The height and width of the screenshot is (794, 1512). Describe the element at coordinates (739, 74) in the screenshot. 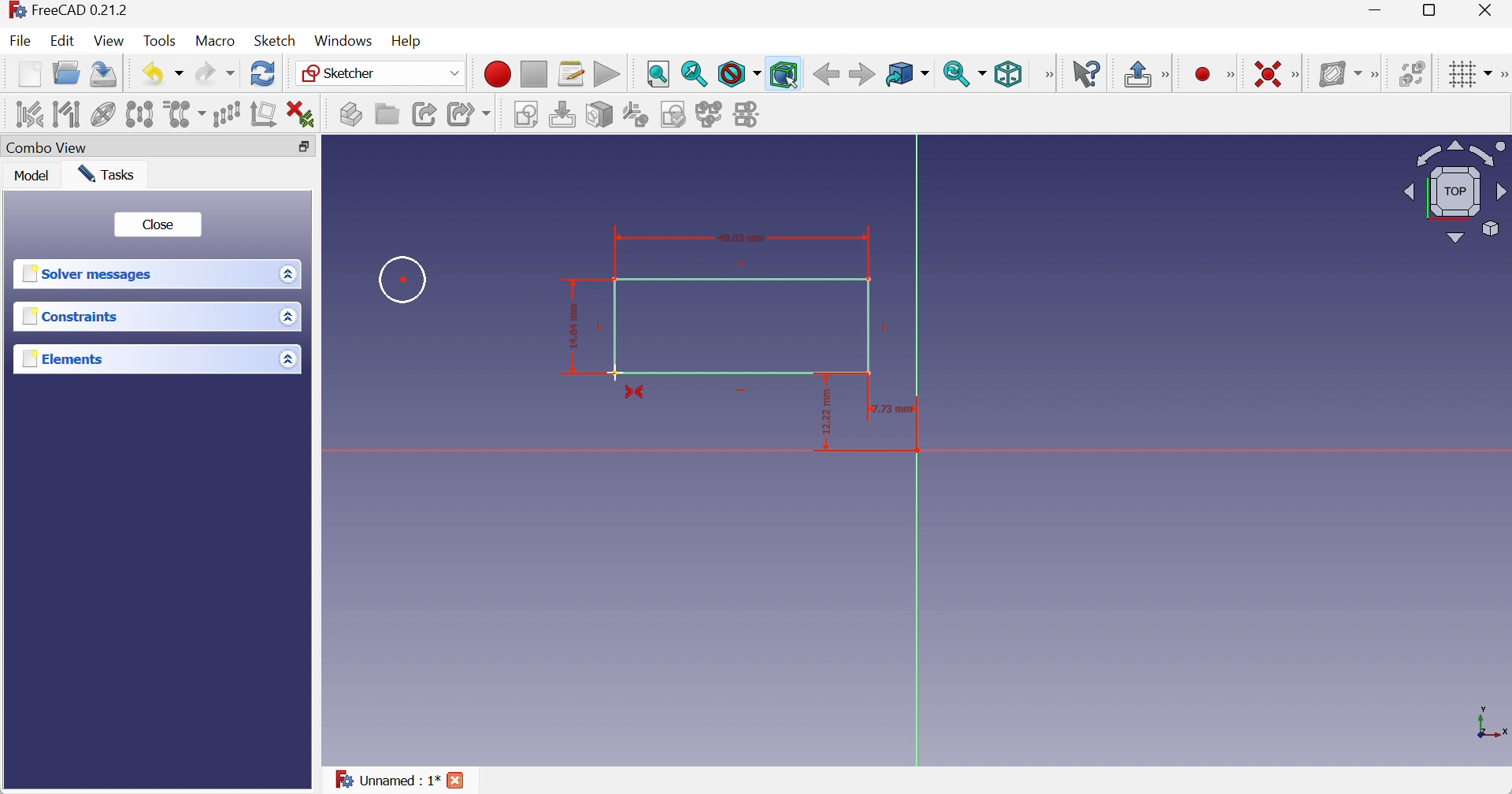

I see `Draw style` at that location.